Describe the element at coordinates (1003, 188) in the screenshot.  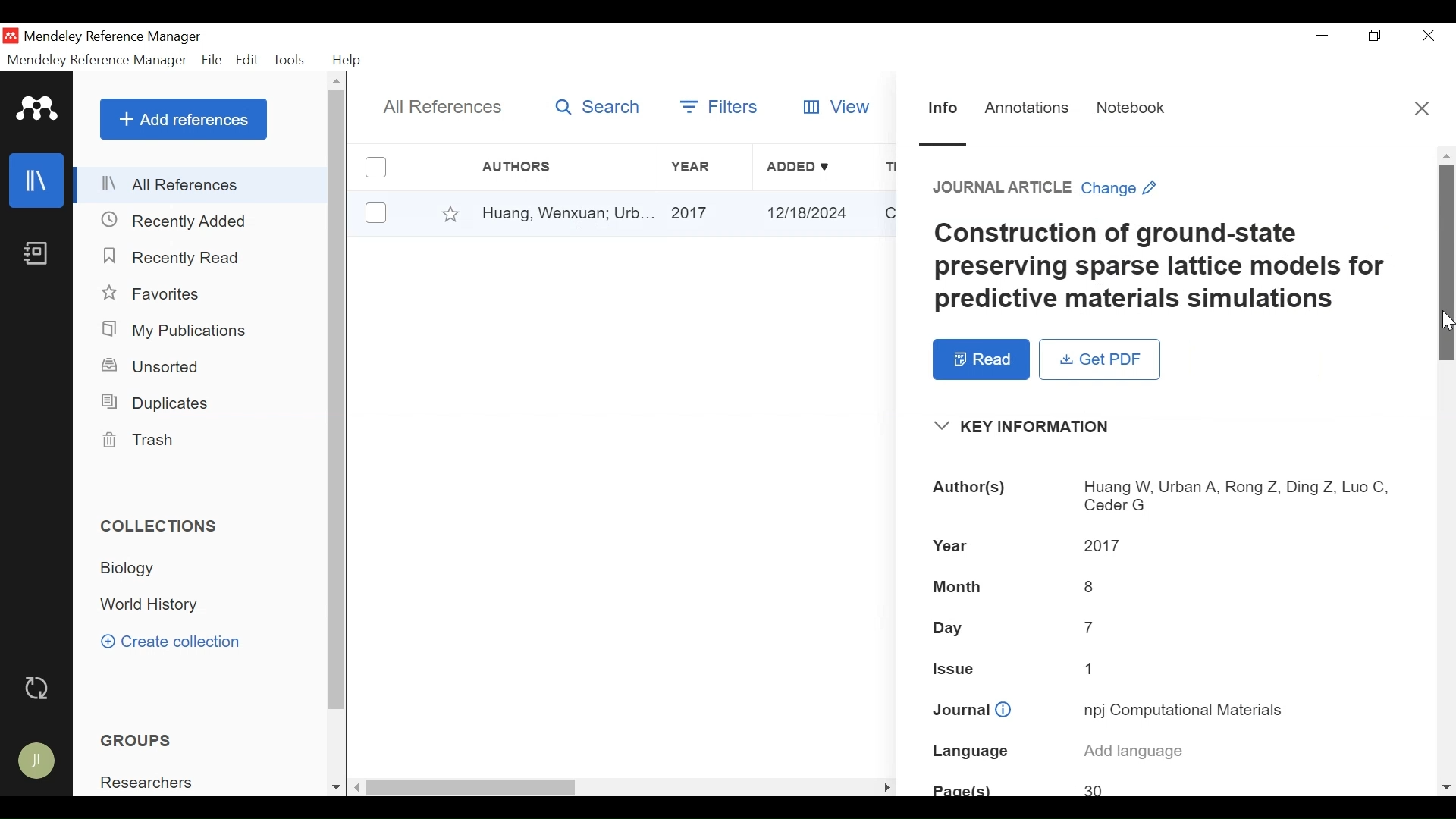
I see `JOURNAL ARTICLE` at that location.